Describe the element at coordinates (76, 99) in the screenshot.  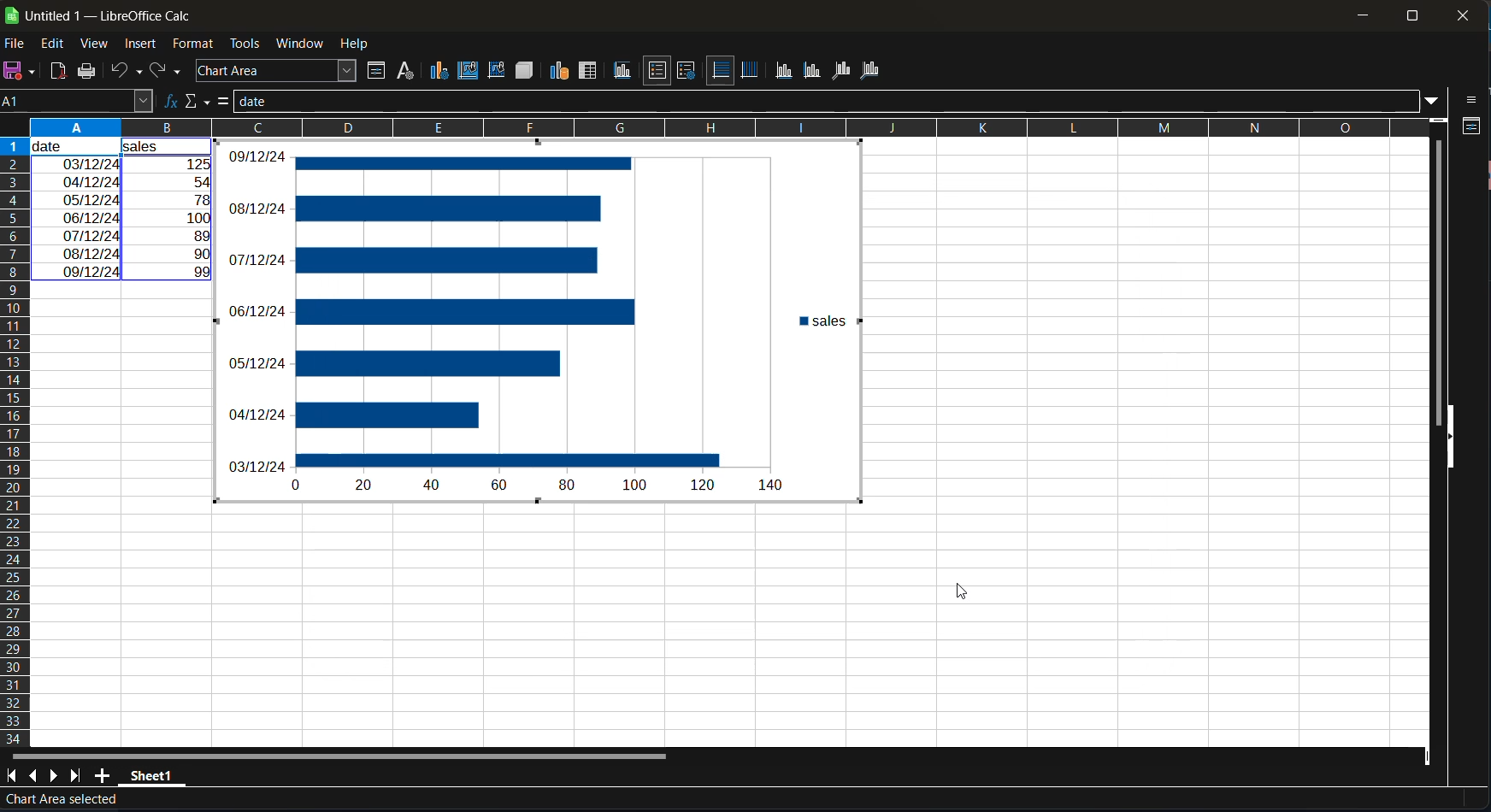
I see `name box` at that location.